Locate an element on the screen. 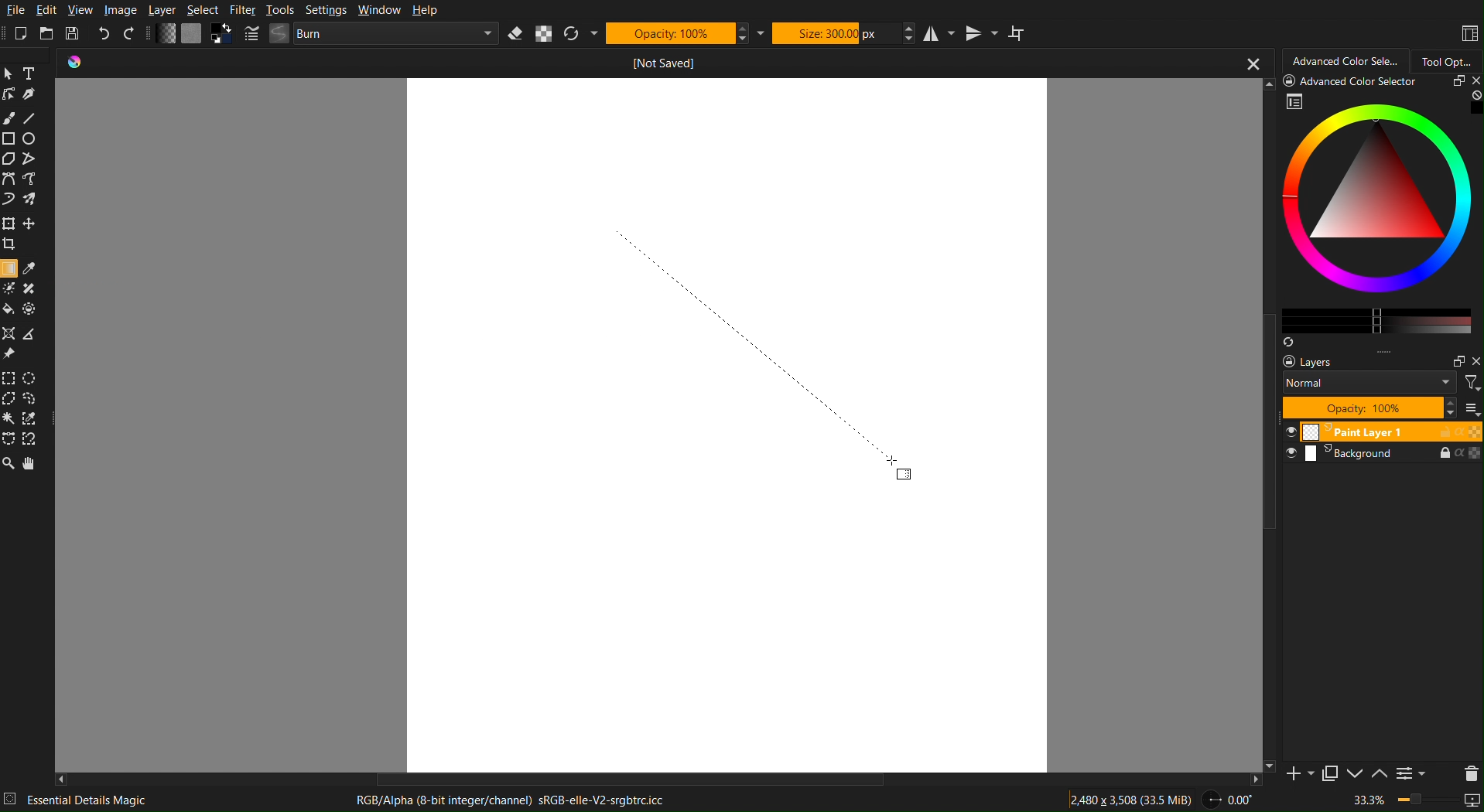  Brush is located at coordinates (9, 118).